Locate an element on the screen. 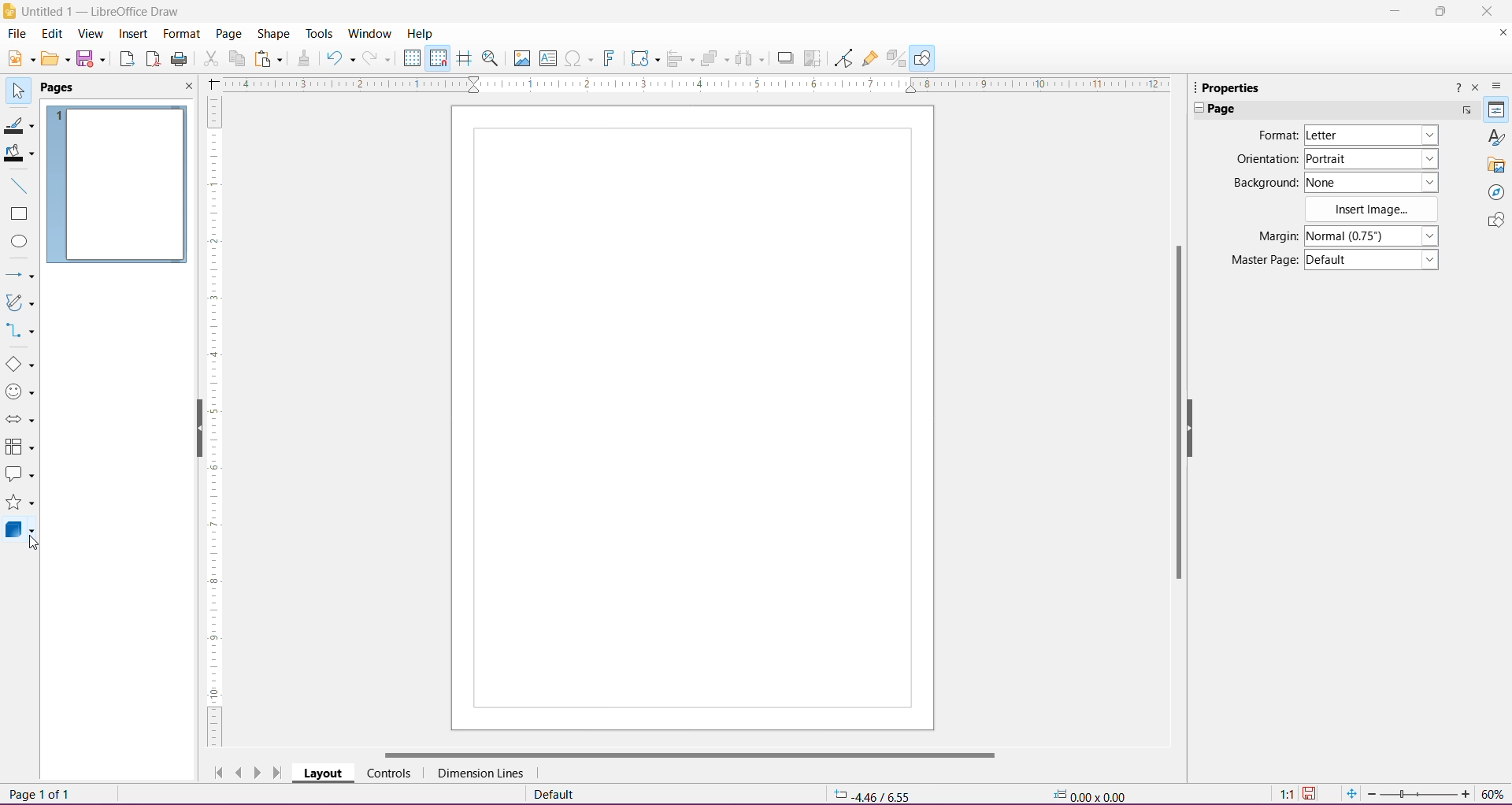  File is located at coordinates (17, 33).